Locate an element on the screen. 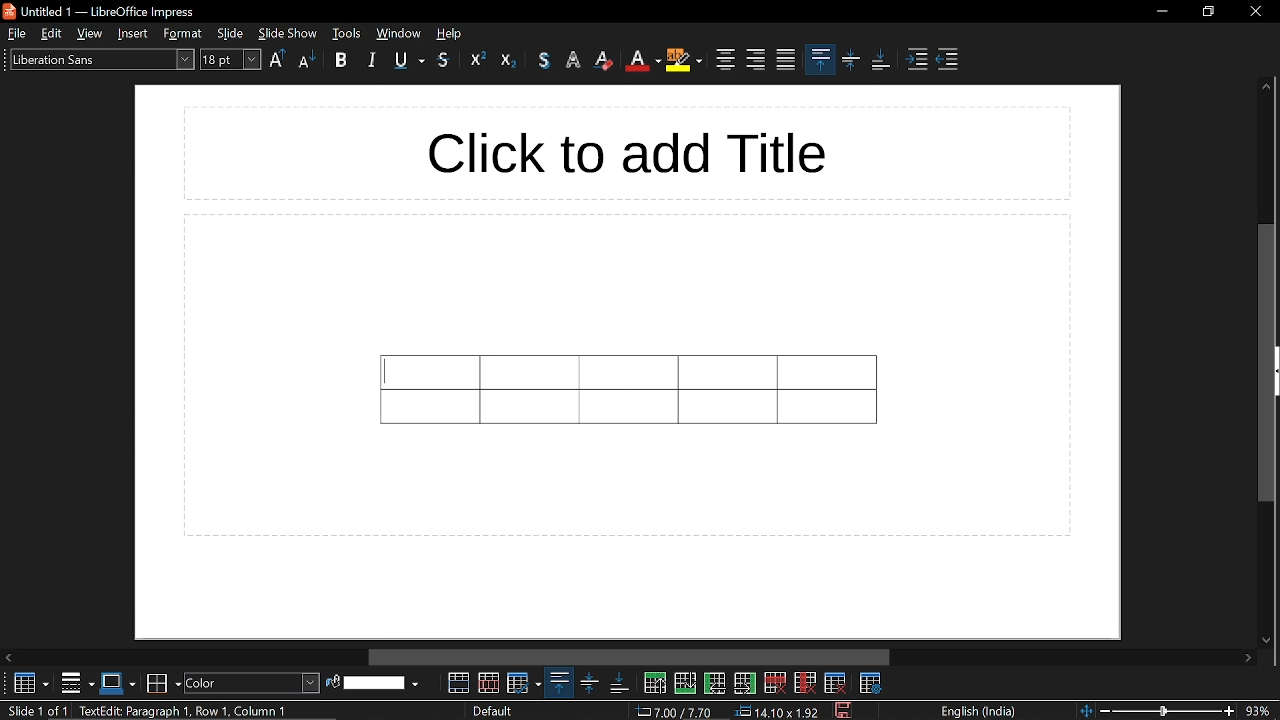  table properties is located at coordinates (872, 683).